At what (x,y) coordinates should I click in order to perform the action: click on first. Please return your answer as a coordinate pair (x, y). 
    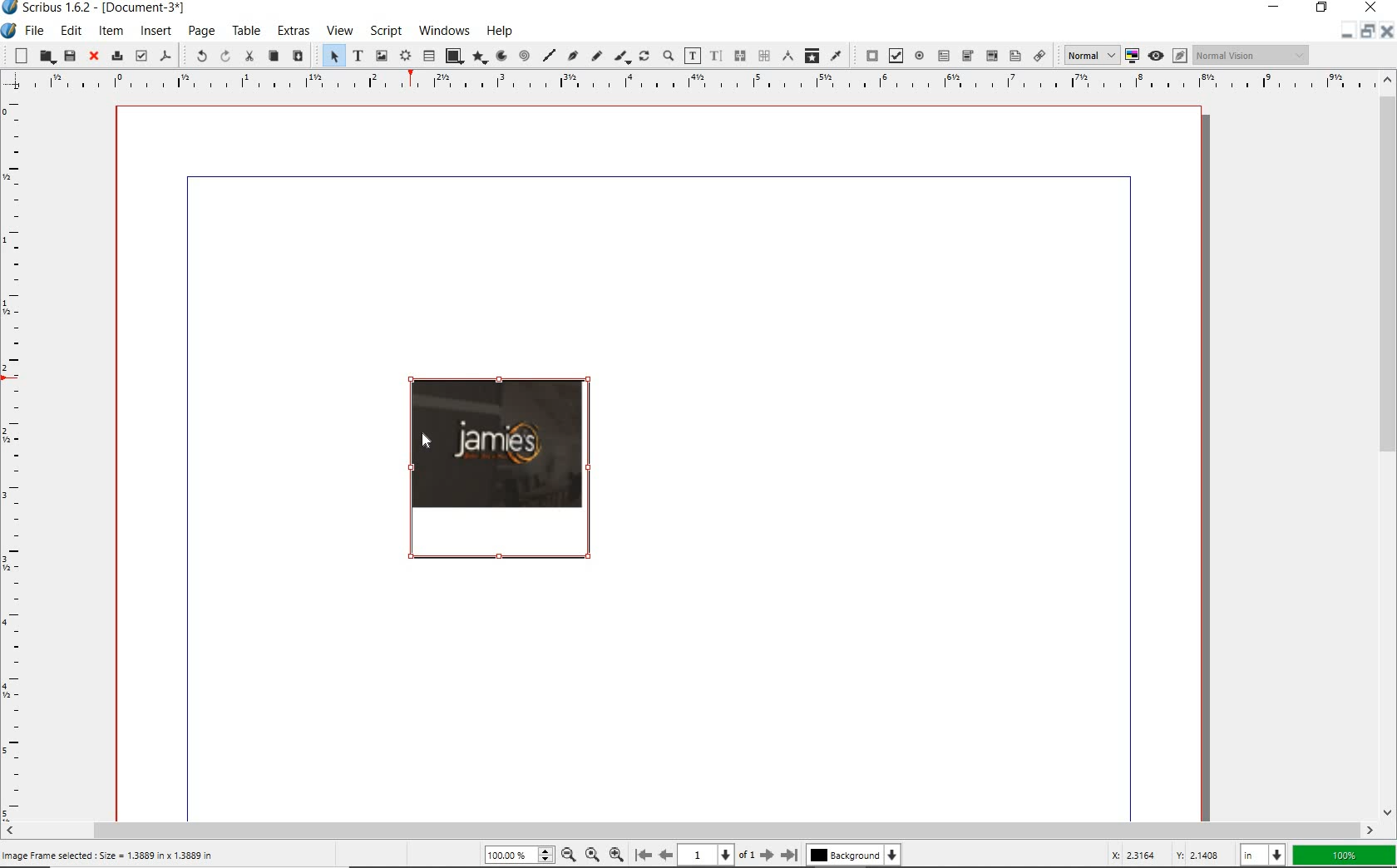
    Looking at the image, I should click on (643, 856).